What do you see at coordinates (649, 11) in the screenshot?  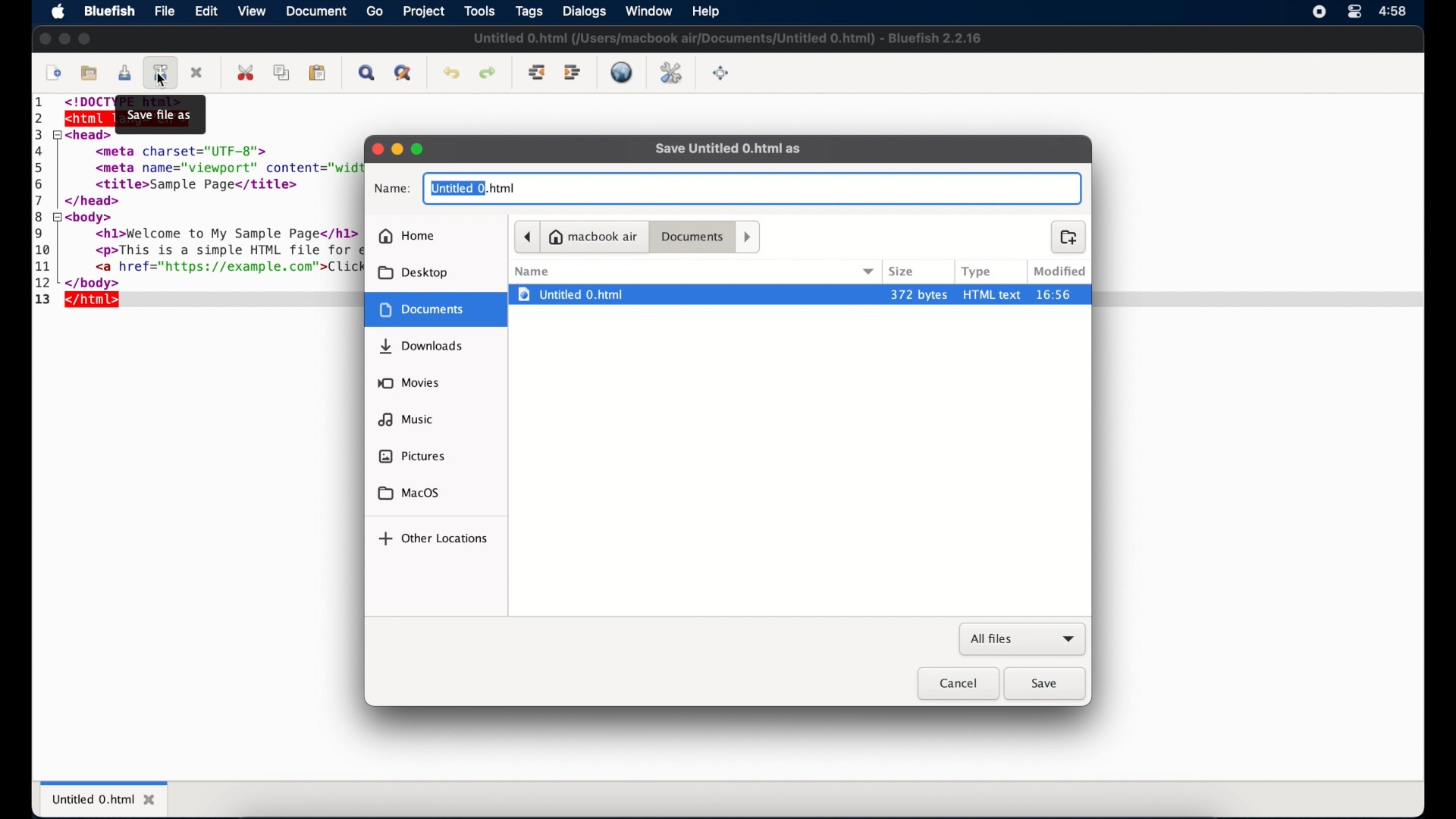 I see `window` at bounding box center [649, 11].